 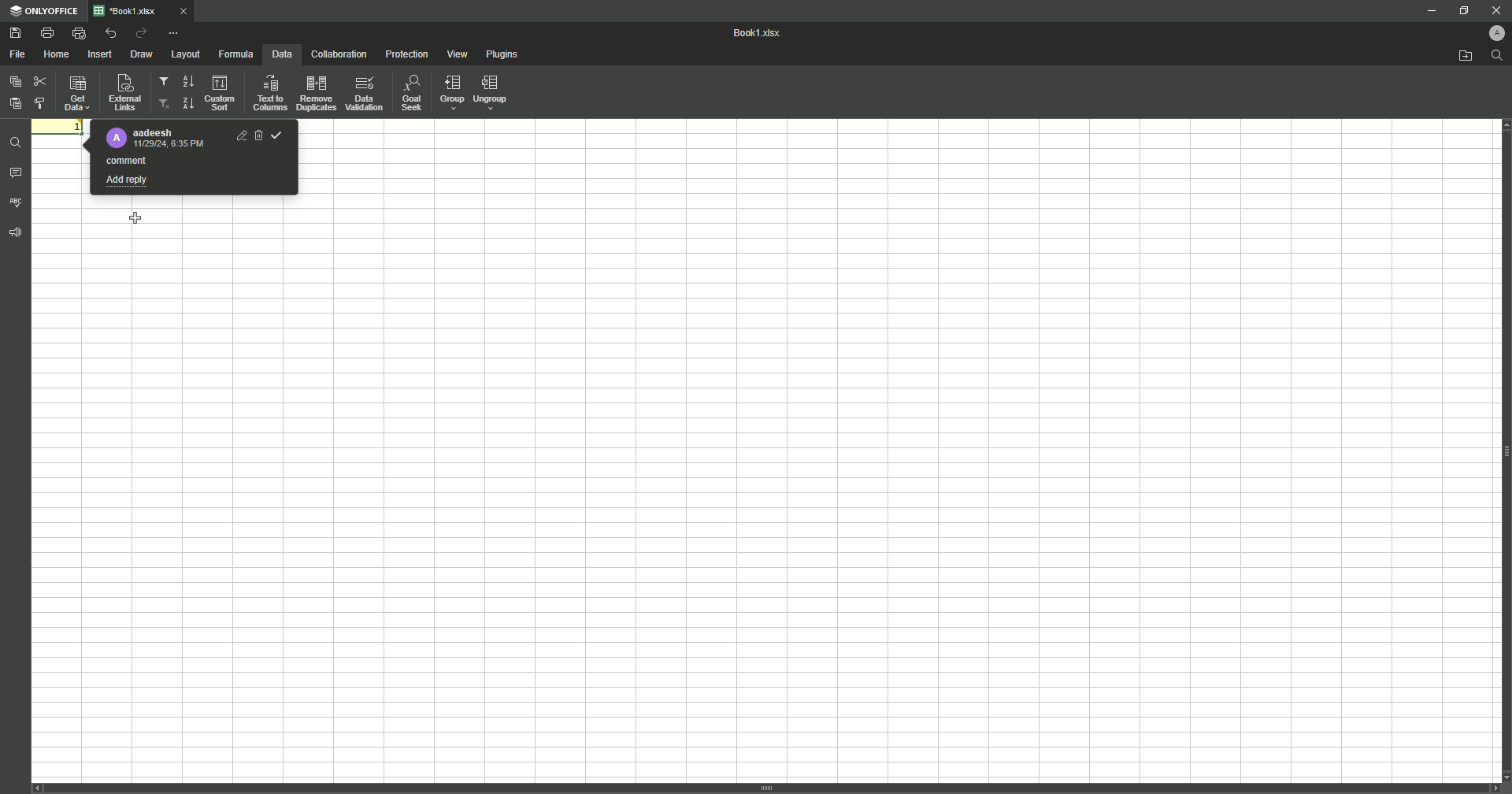 I want to click on Data Validation, so click(x=365, y=94).